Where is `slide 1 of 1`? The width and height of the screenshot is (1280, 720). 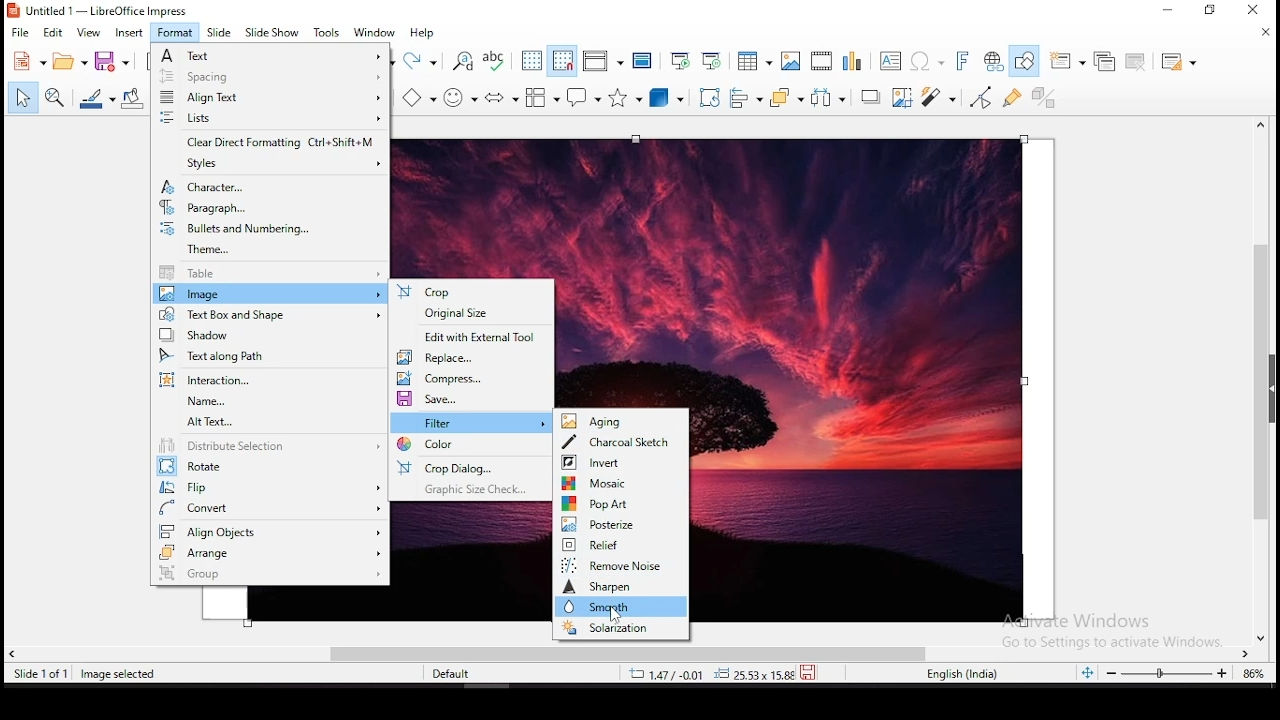 slide 1 of 1 is located at coordinates (44, 674).